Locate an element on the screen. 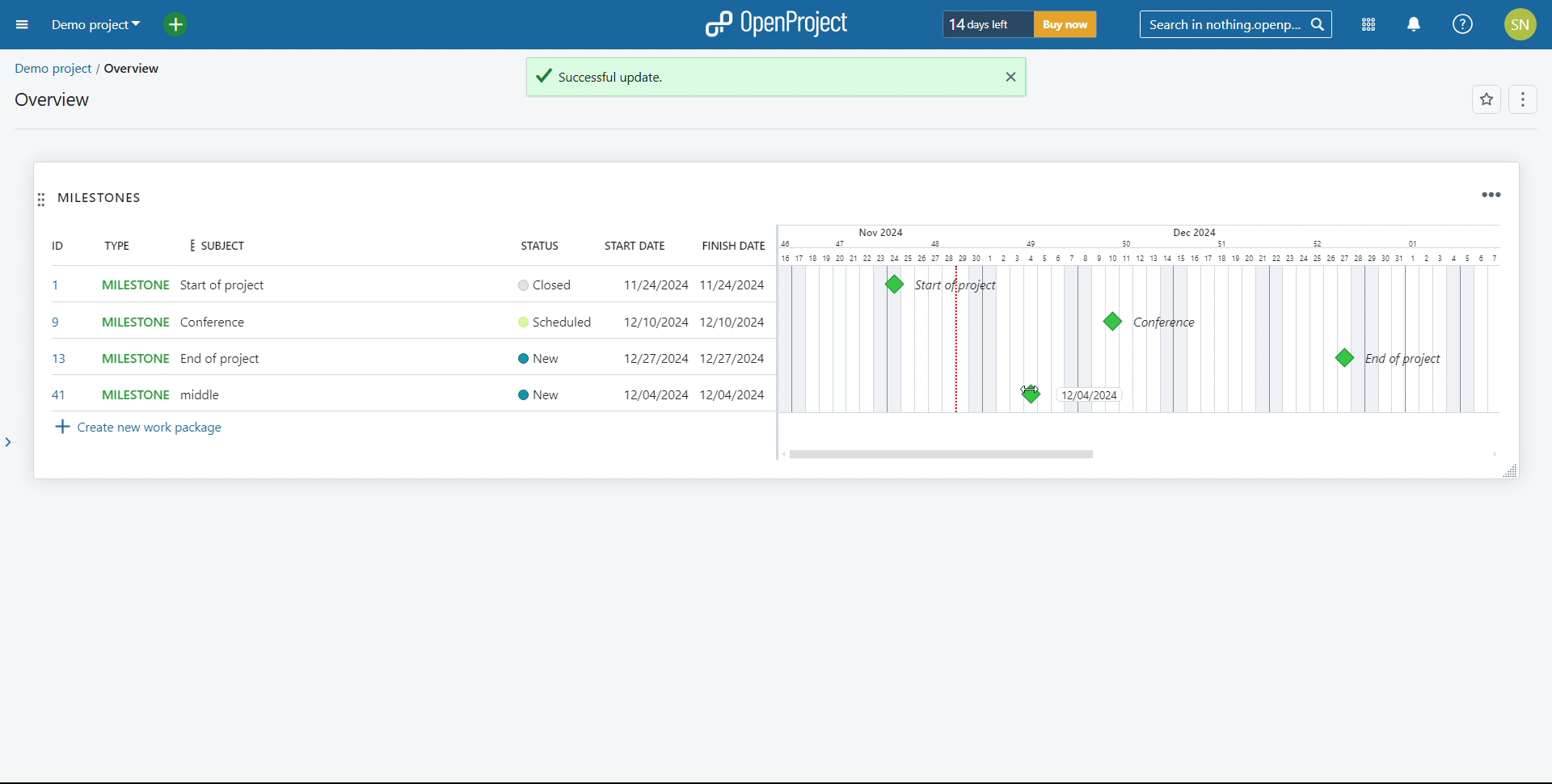  status is located at coordinates (540, 244).